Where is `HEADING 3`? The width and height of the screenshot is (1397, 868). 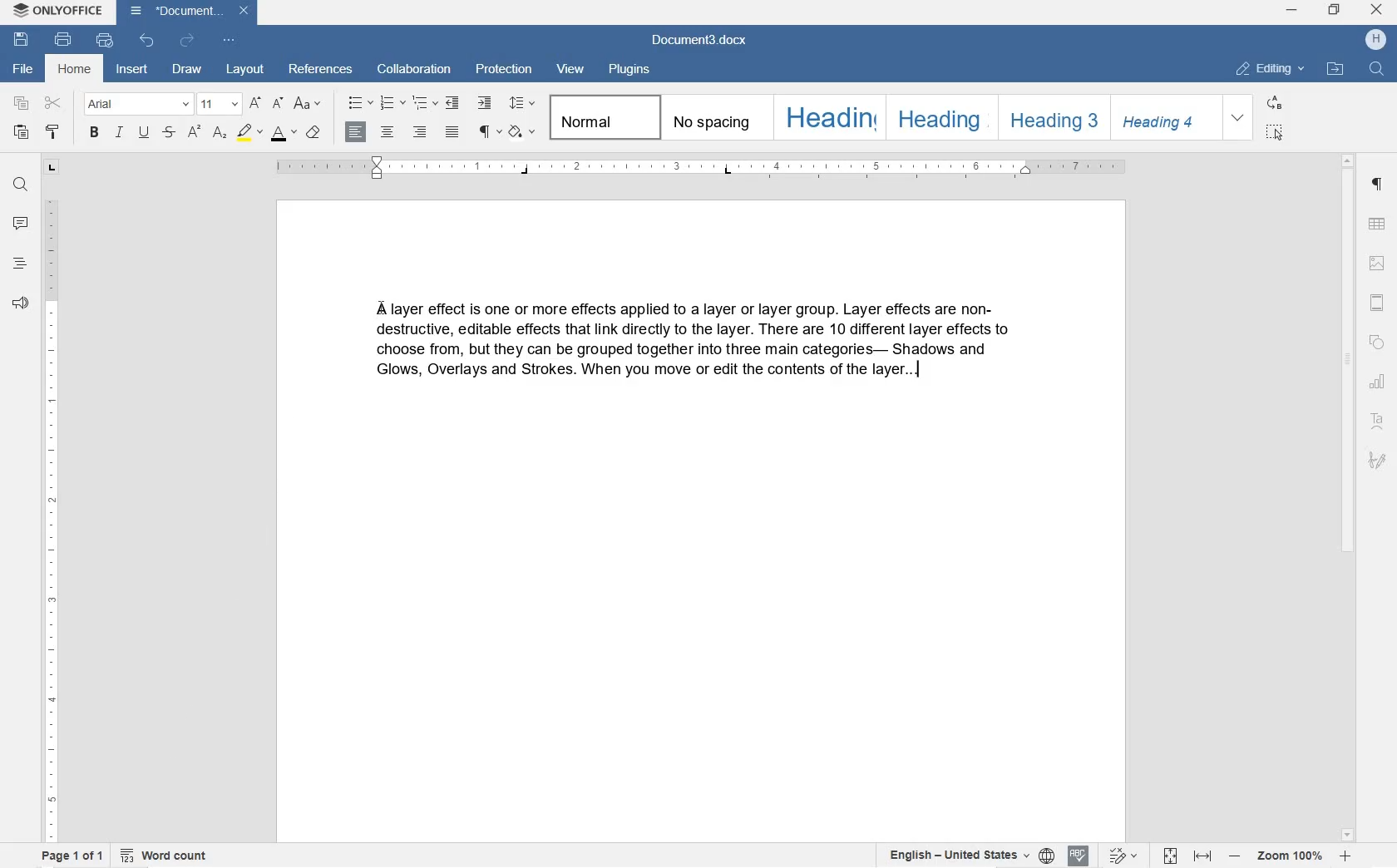 HEADING 3 is located at coordinates (1054, 118).